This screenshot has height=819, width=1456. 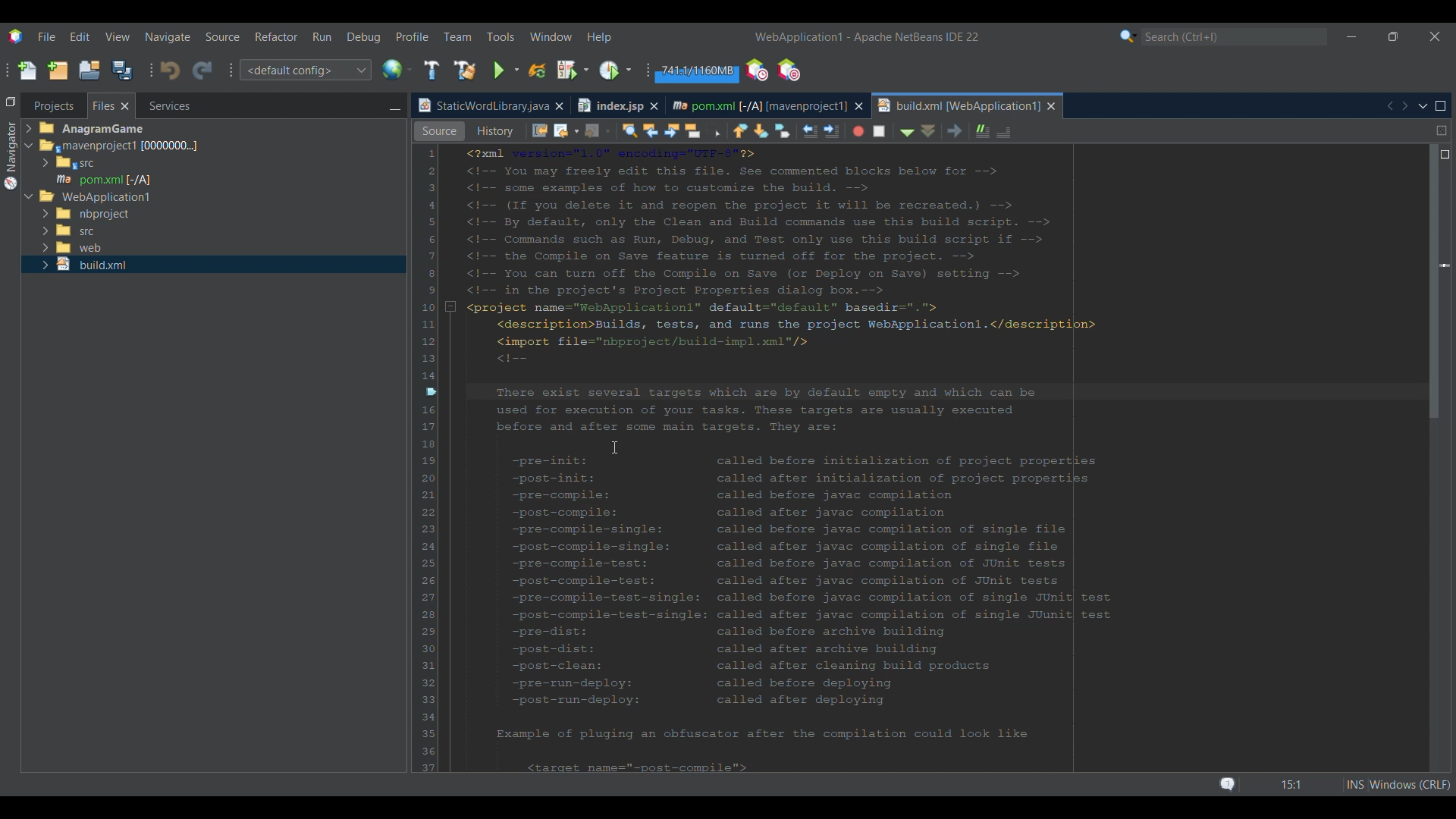 What do you see at coordinates (899, 130) in the screenshot?
I see `Next bookmark` at bounding box center [899, 130].